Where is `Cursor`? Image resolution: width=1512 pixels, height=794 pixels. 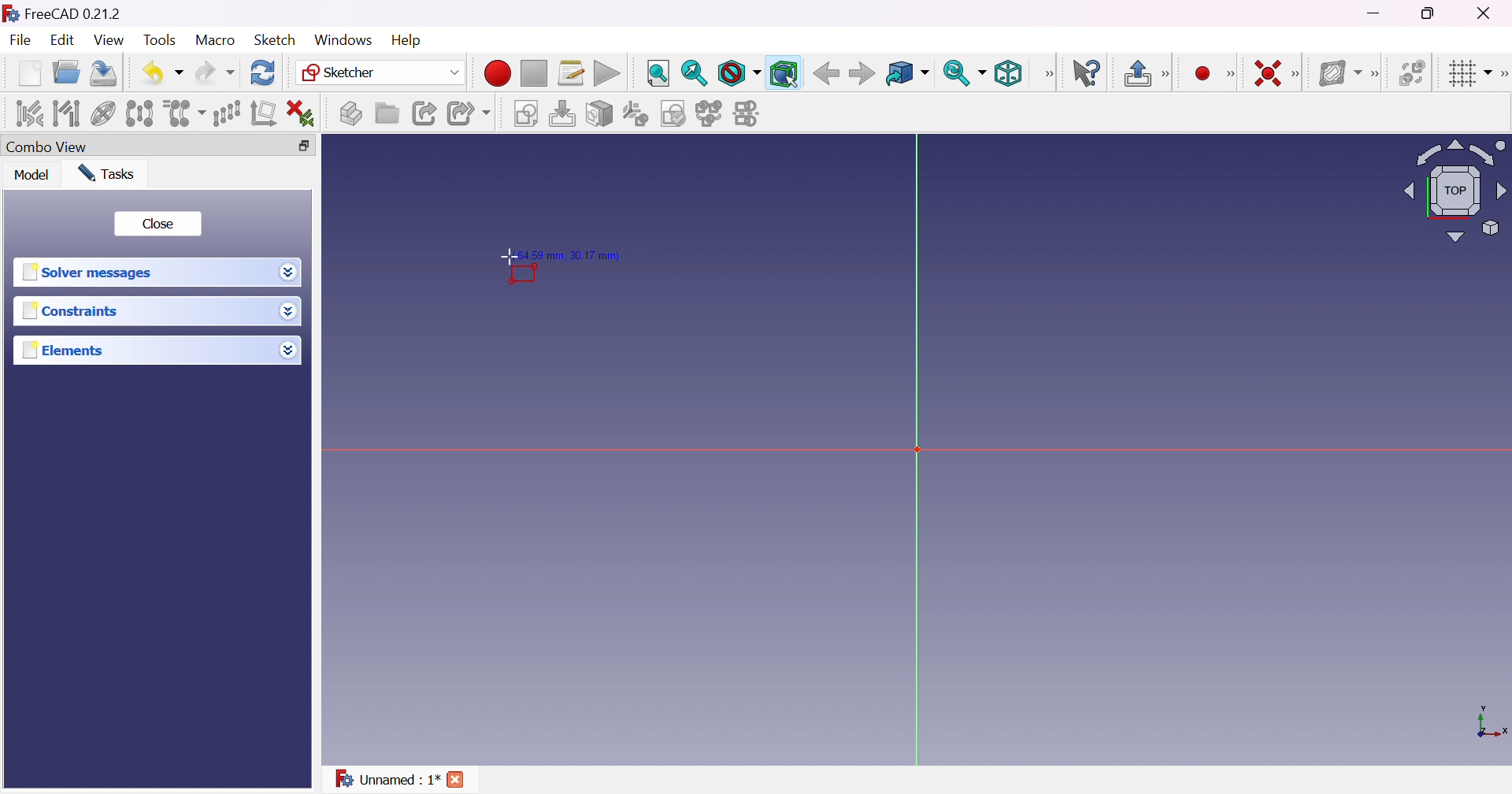
Cursor is located at coordinates (505, 255).